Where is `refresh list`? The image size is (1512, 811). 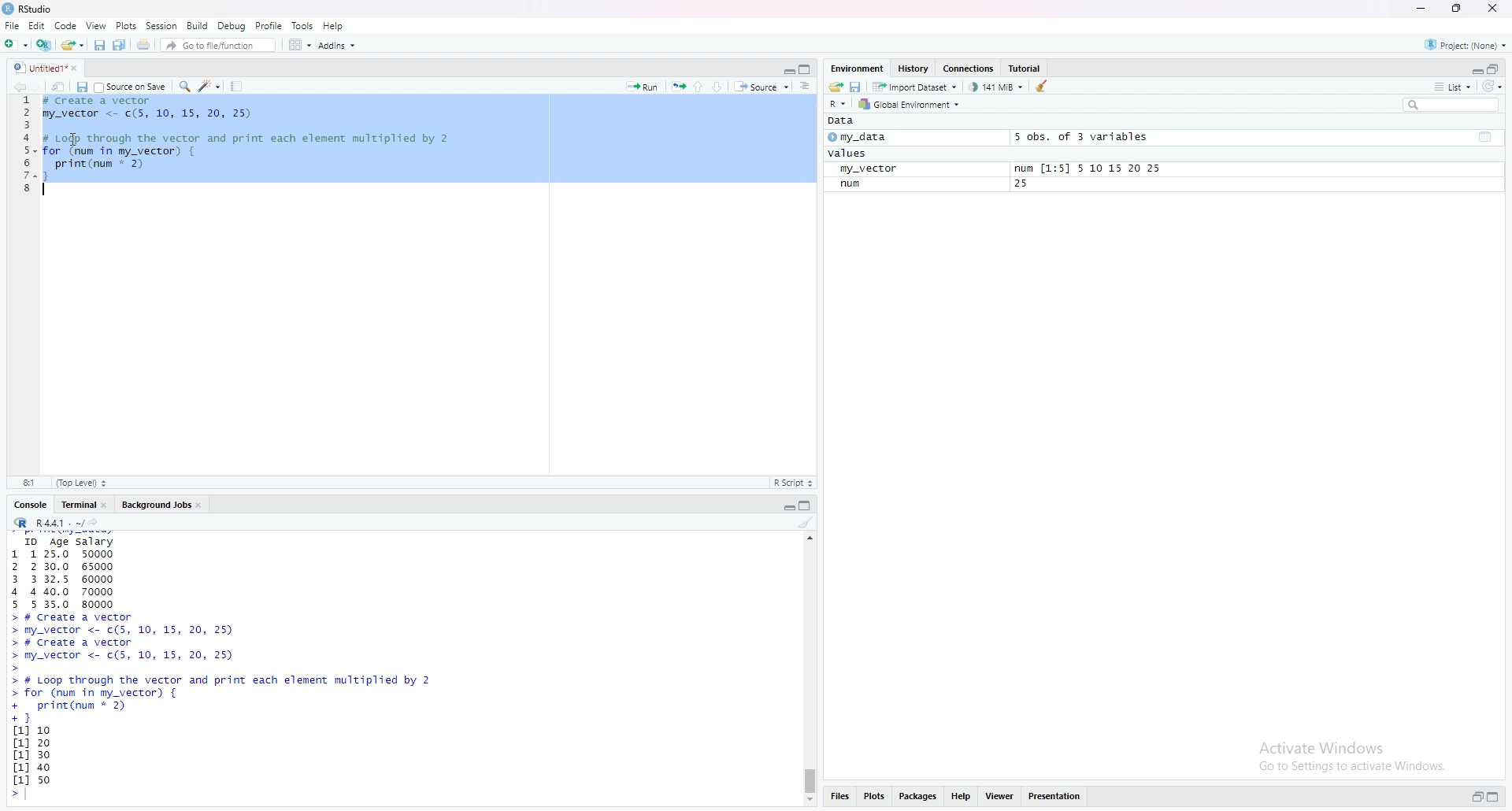
refresh list is located at coordinates (1495, 87).